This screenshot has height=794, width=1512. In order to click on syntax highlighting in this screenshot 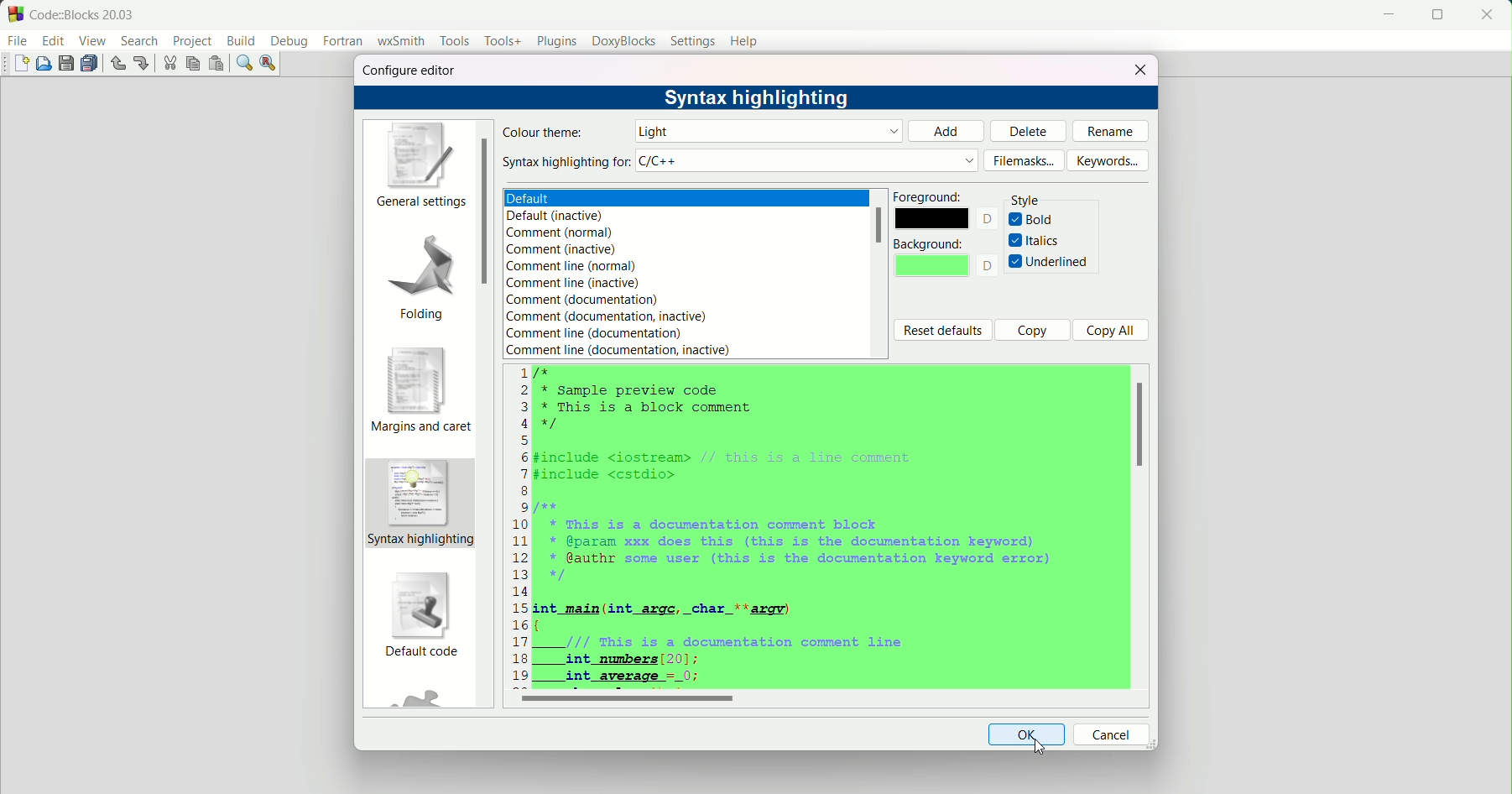, I will do `click(420, 503)`.